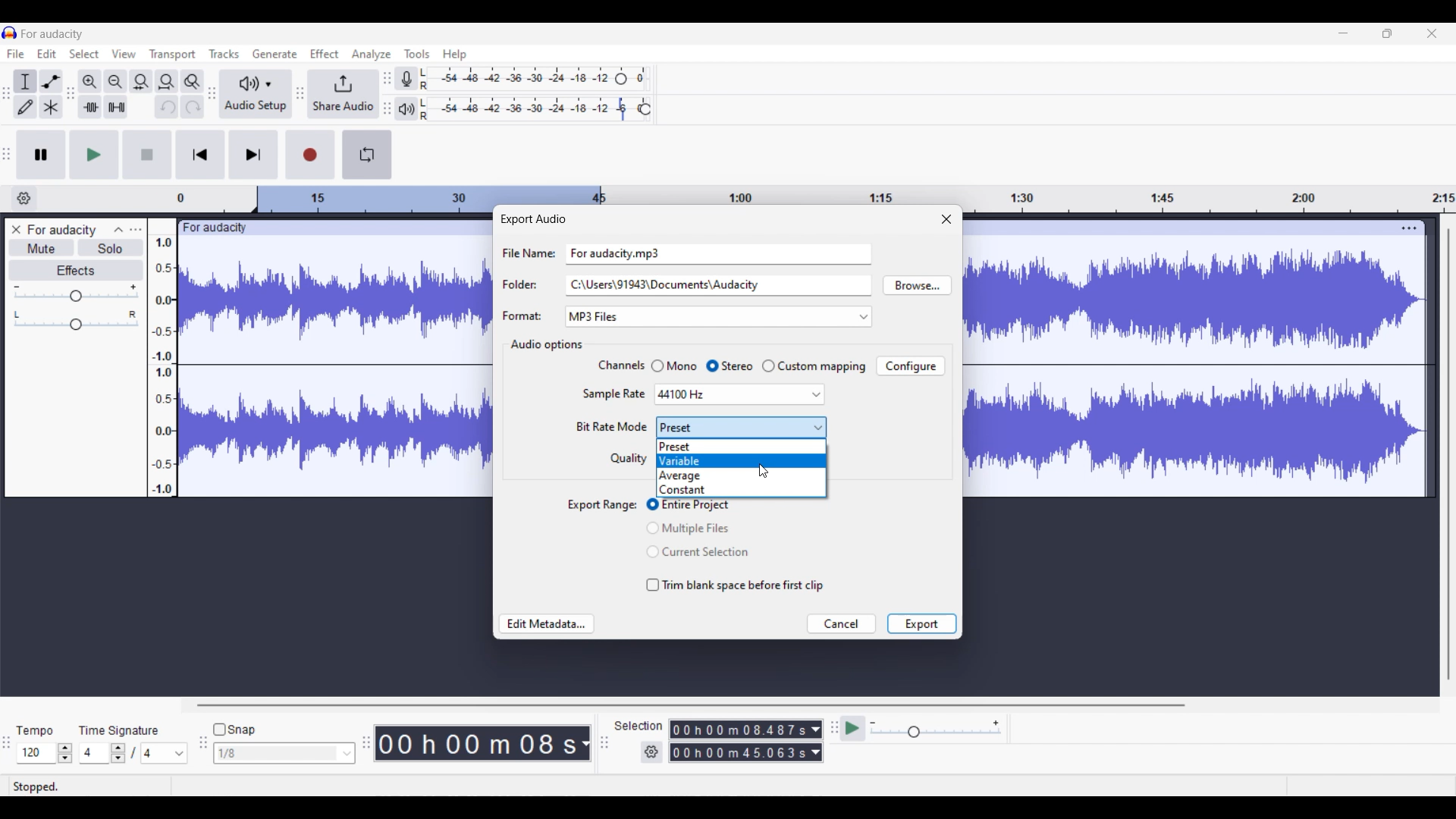 This screenshot has width=1456, height=819. What do you see at coordinates (53, 34) in the screenshot?
I see `Project name - For audacity` at bounding box center [53, 34].